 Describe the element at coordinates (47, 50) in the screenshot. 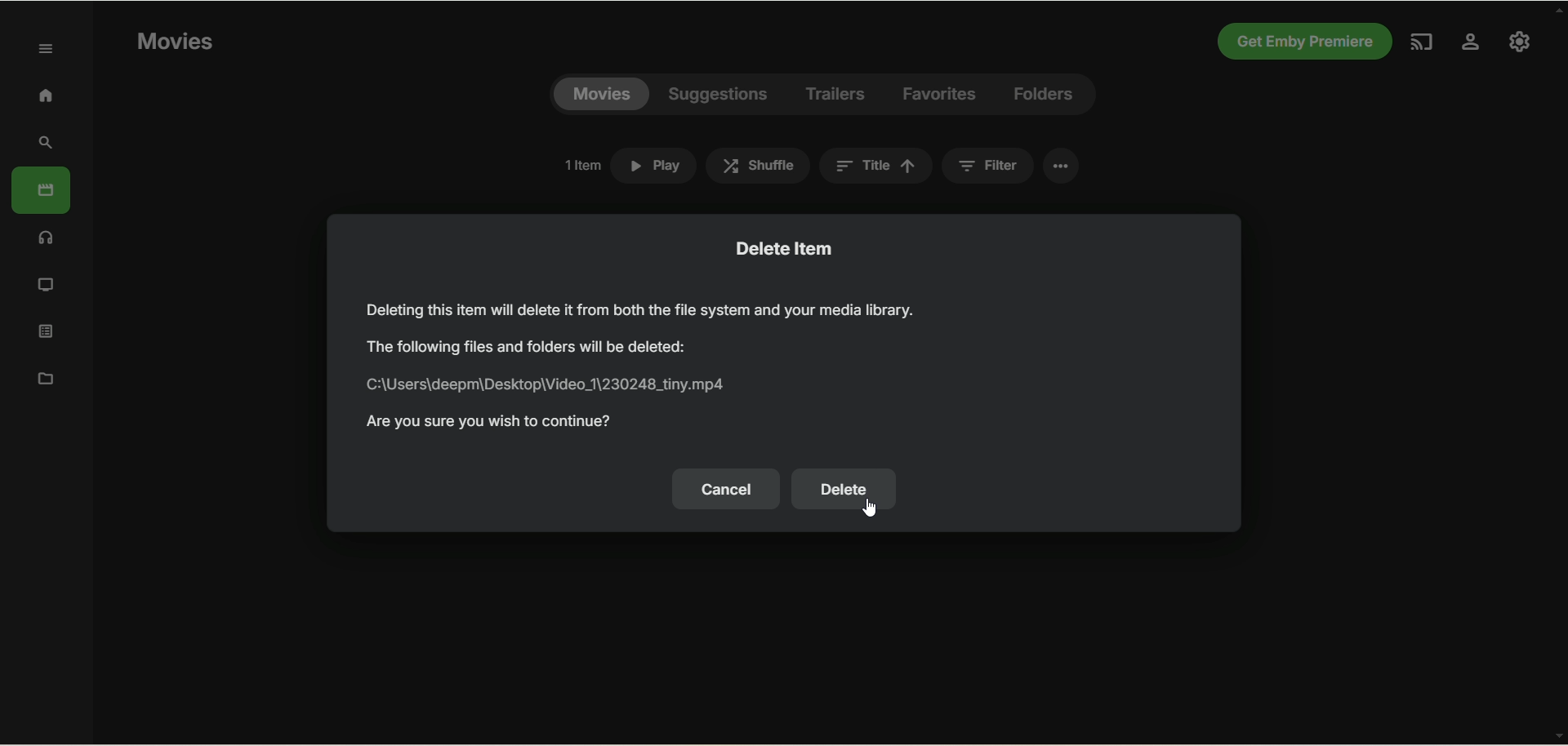

I see `Expand` at that location.